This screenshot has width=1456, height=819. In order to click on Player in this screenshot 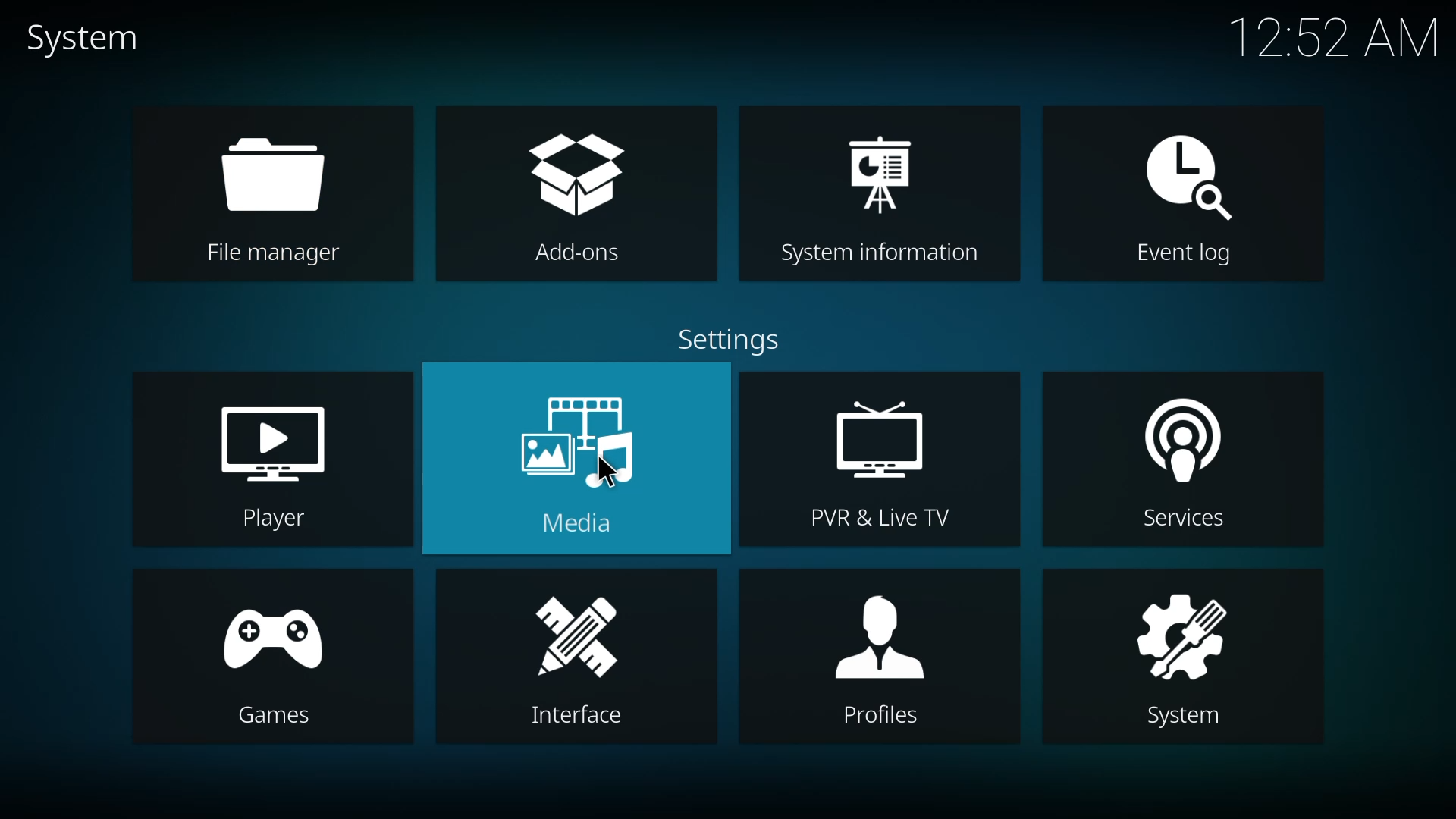, I will do `click(275, 522)`.